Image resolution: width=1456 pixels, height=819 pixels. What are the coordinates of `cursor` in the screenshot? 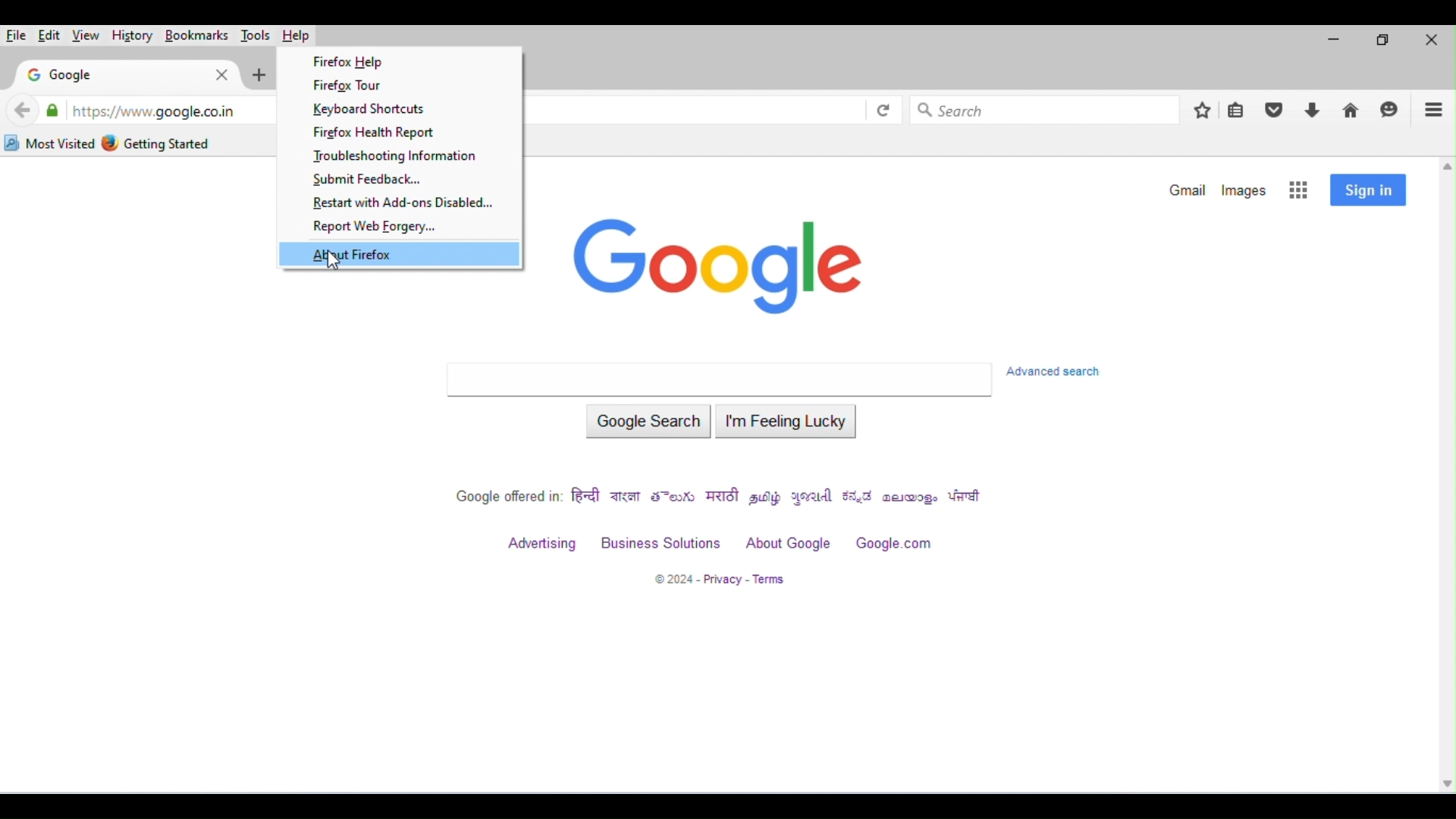 It's located at (336, 261).